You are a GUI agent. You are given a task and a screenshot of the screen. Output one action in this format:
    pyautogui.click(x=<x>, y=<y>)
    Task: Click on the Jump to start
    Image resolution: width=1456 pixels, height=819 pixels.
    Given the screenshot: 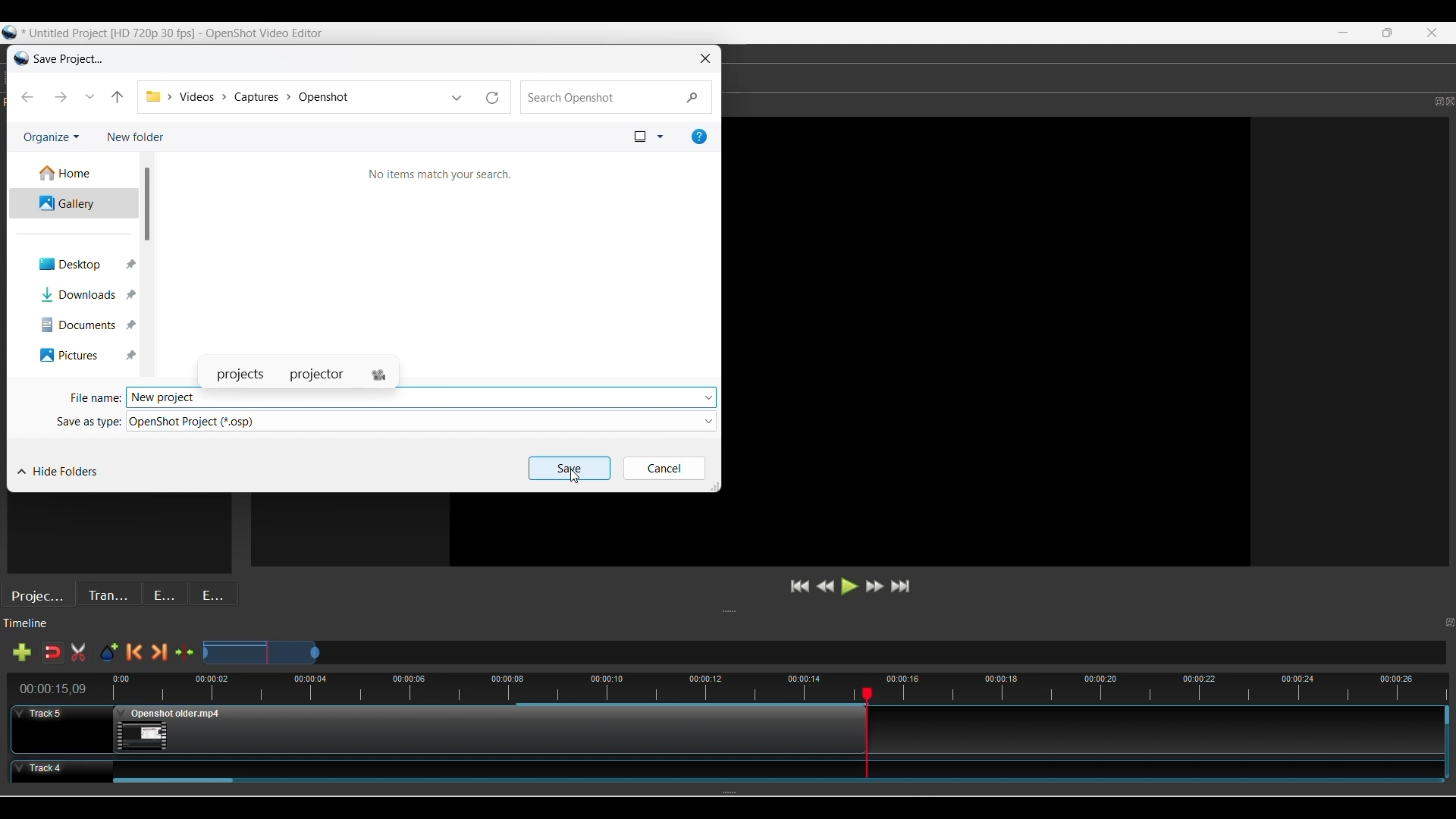 What is the action you would take?
    pyautogui.click(x=800, y=586)
    